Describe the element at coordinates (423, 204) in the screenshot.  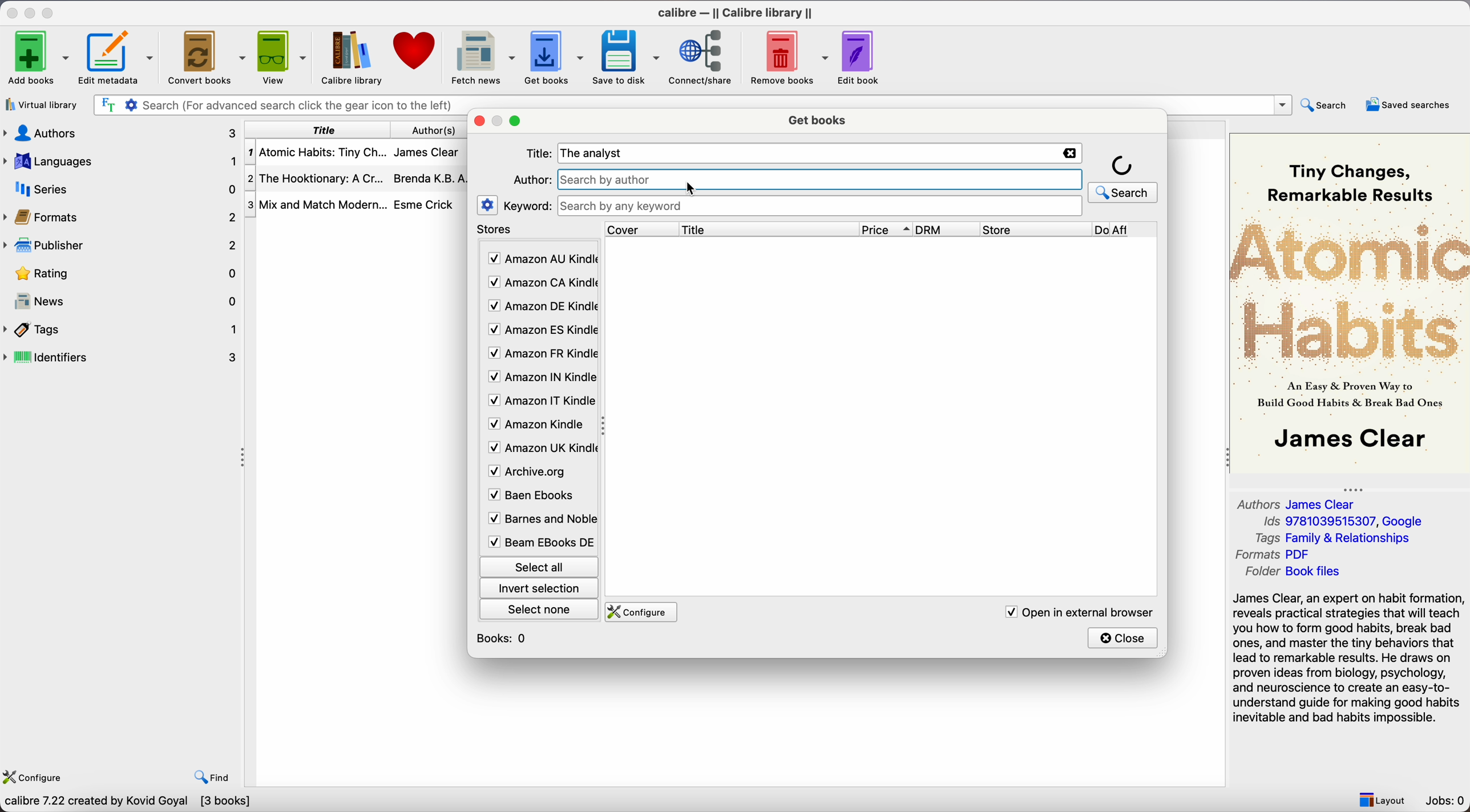
I see `Esme Crick` at that location.